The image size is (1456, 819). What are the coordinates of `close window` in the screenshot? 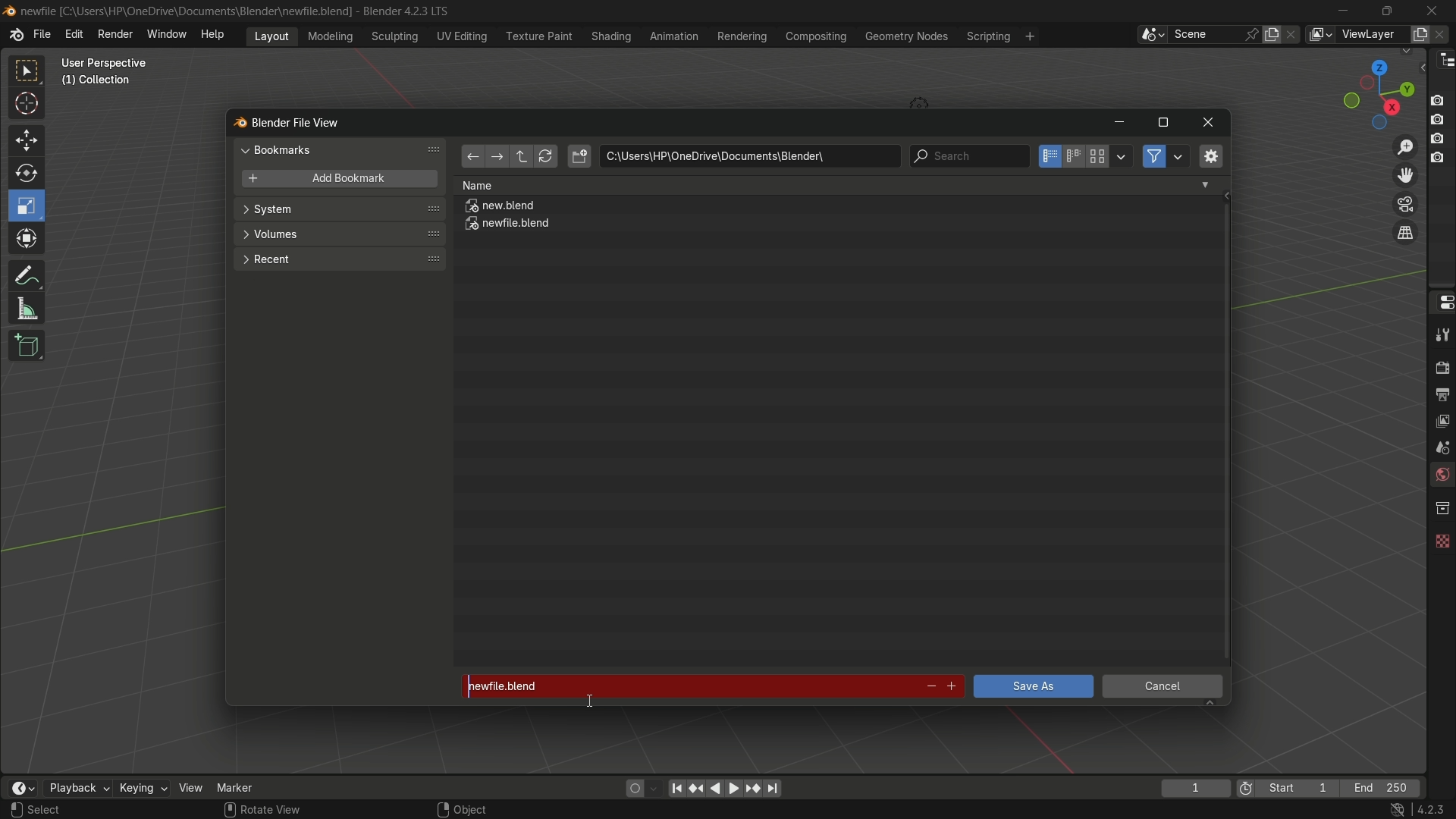 It's located at (1209, 123).